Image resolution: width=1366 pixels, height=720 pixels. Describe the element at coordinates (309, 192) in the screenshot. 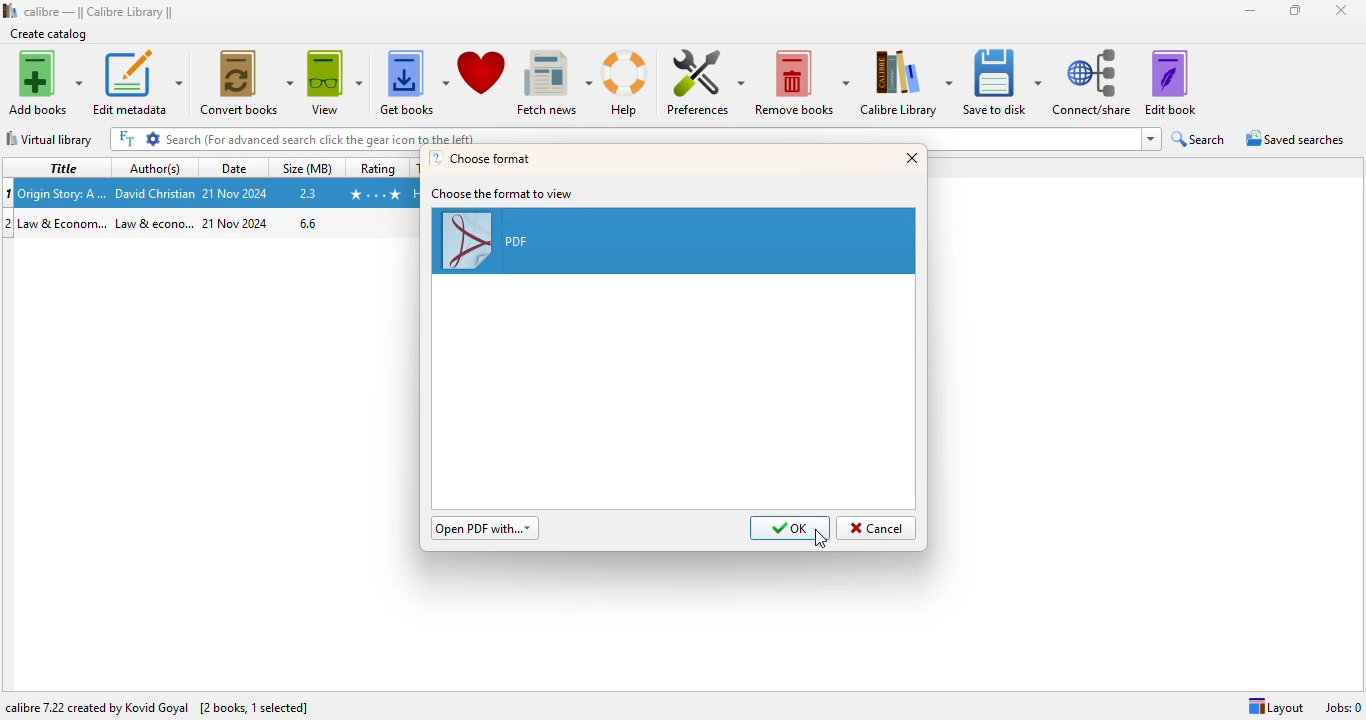

I see `size in mbs` at that location.